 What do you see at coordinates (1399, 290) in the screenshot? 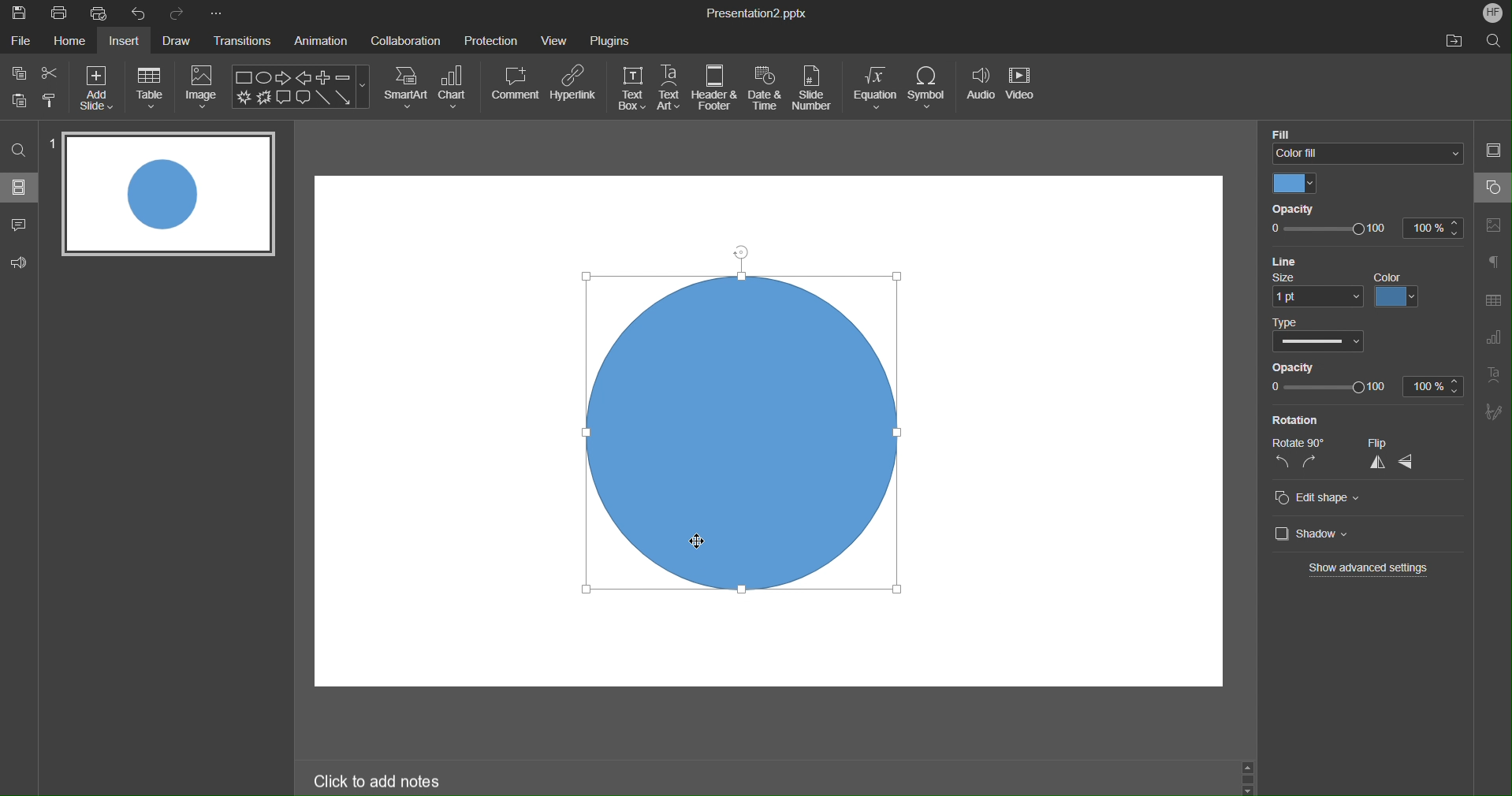
I see `color` at bounding box center [1399, 290].